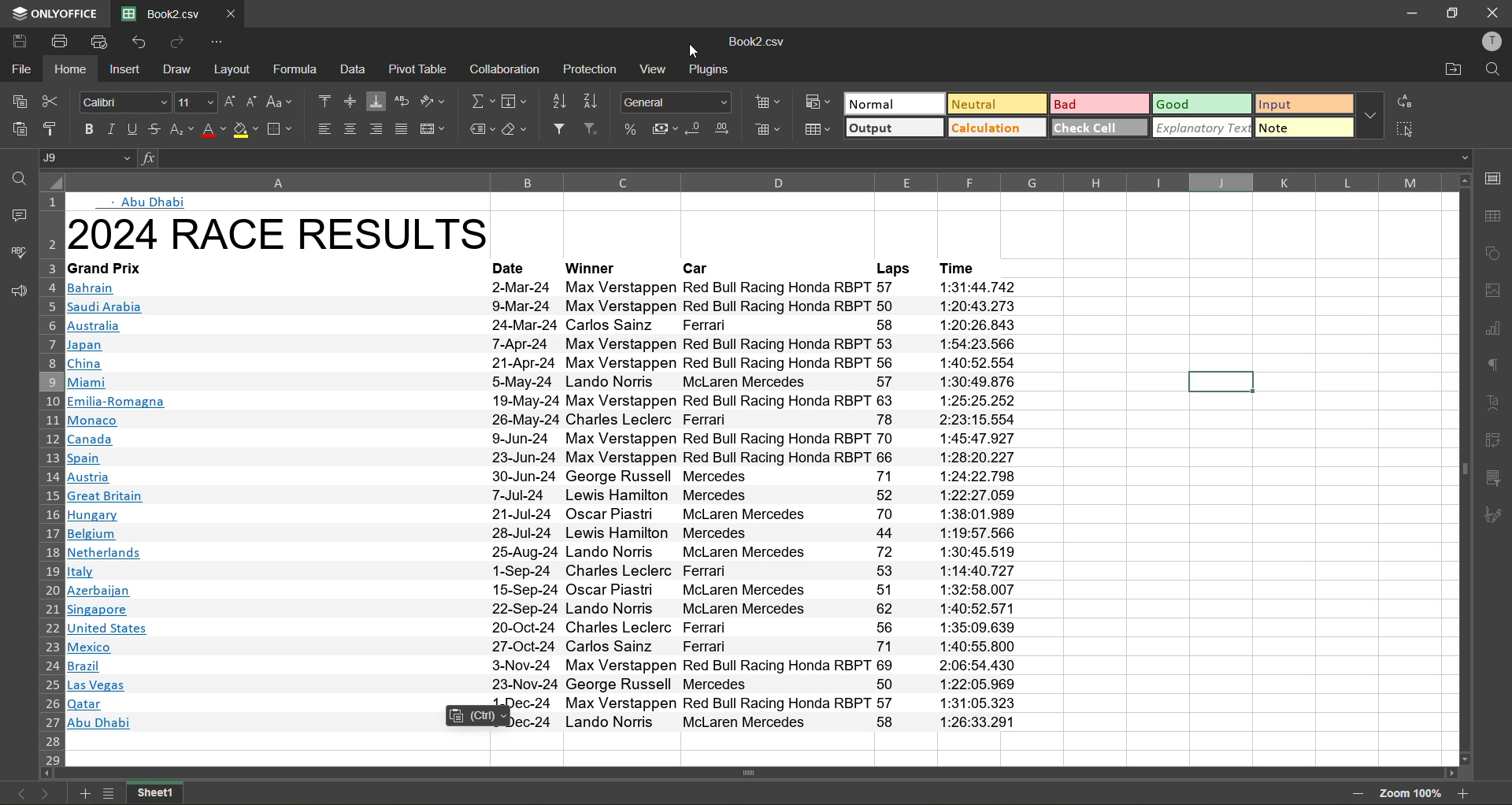  I want to click on open location, so click(1446, 68).